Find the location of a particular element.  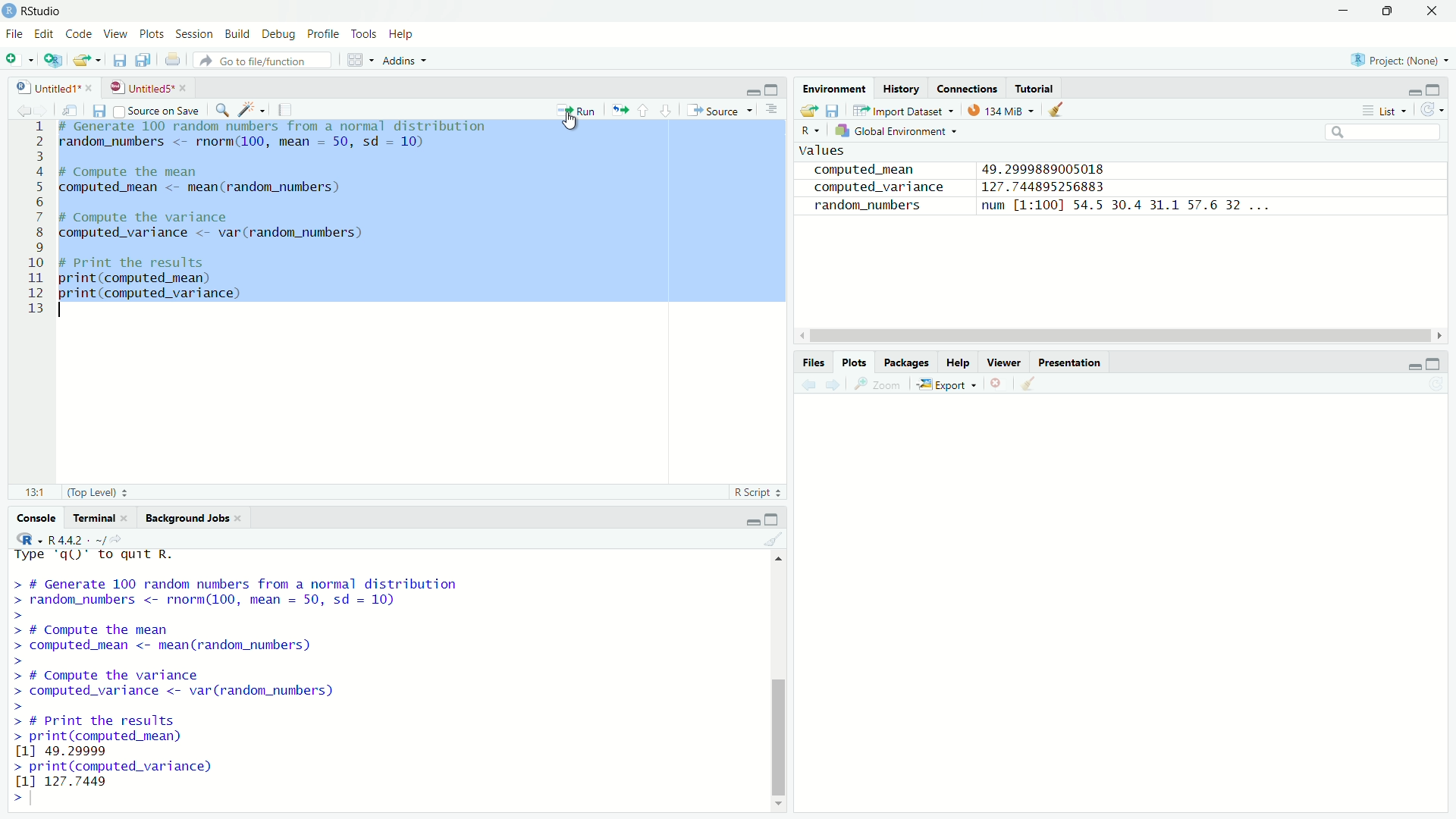

compile report is located at coordinates (286, 109).